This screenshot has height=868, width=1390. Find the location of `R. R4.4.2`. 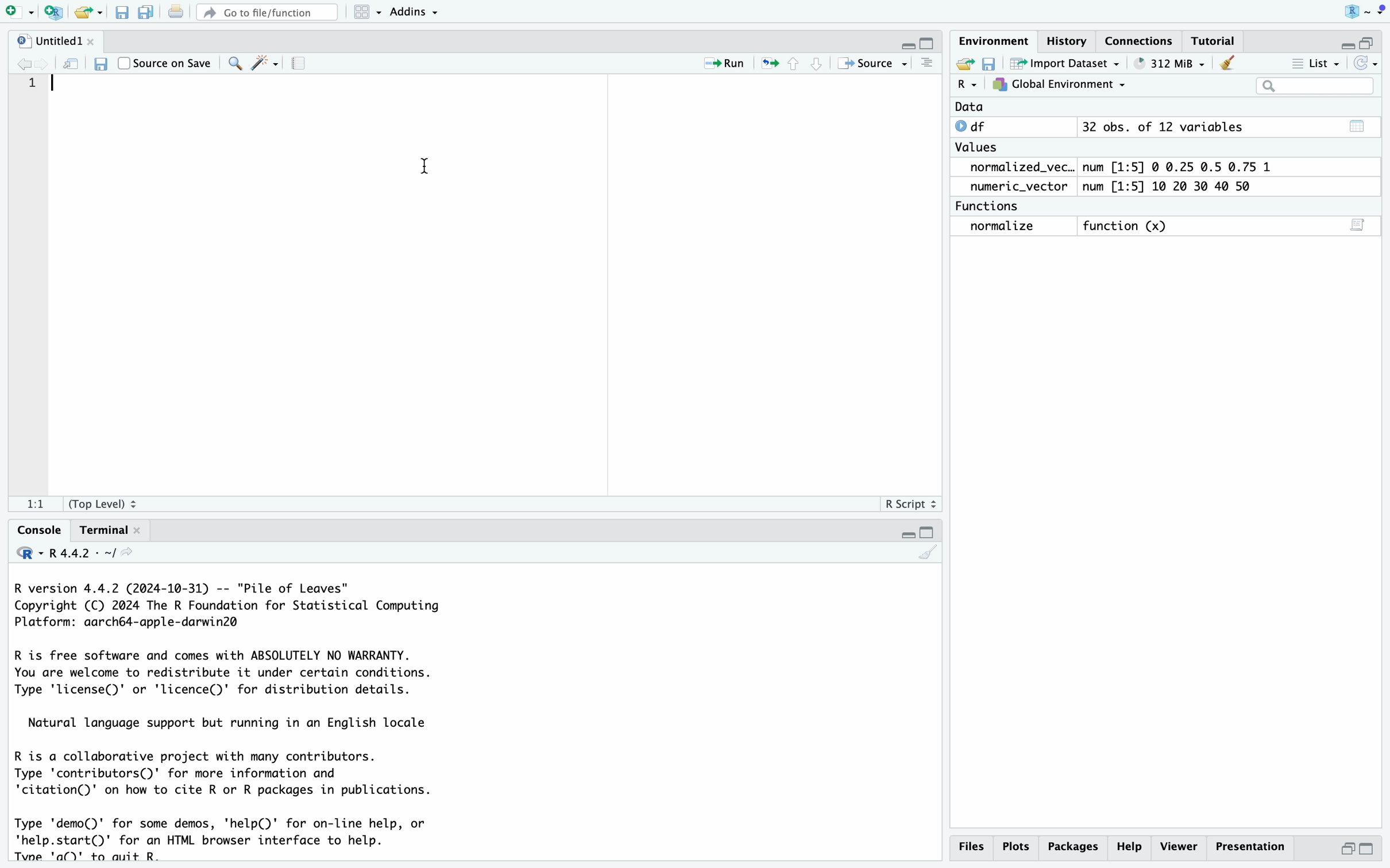

R. R4.4.2 is located at coordinates (71, 556).